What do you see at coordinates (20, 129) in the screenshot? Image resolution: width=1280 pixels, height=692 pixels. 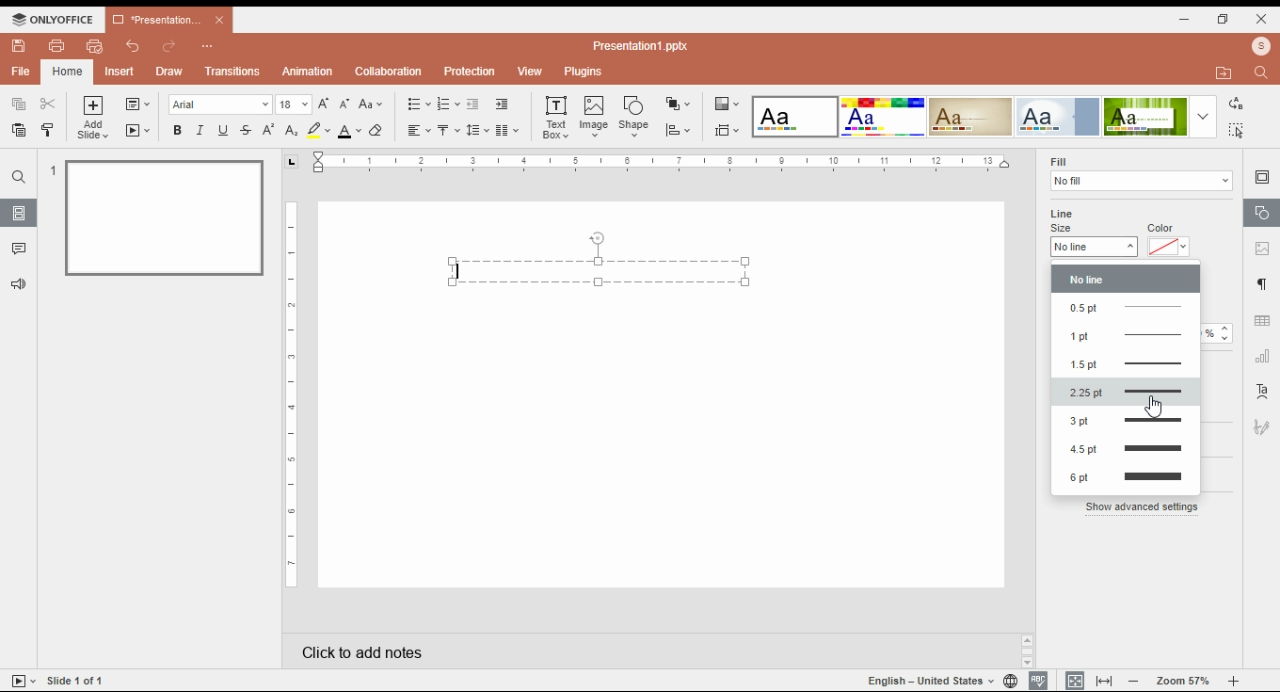 I see `paste` at bounding box center [20, 129].